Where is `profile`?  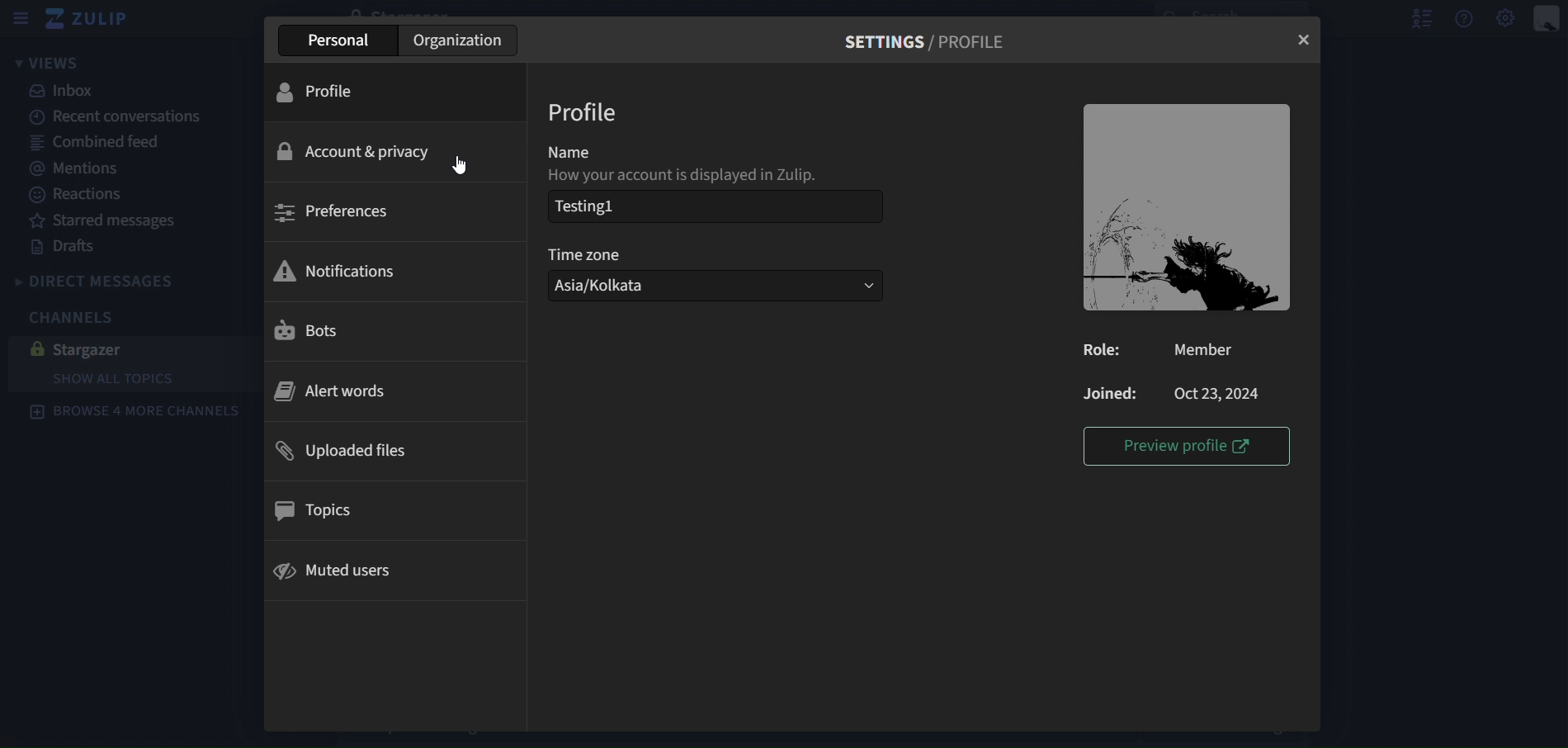 profile is located at coordinates (586, 112).